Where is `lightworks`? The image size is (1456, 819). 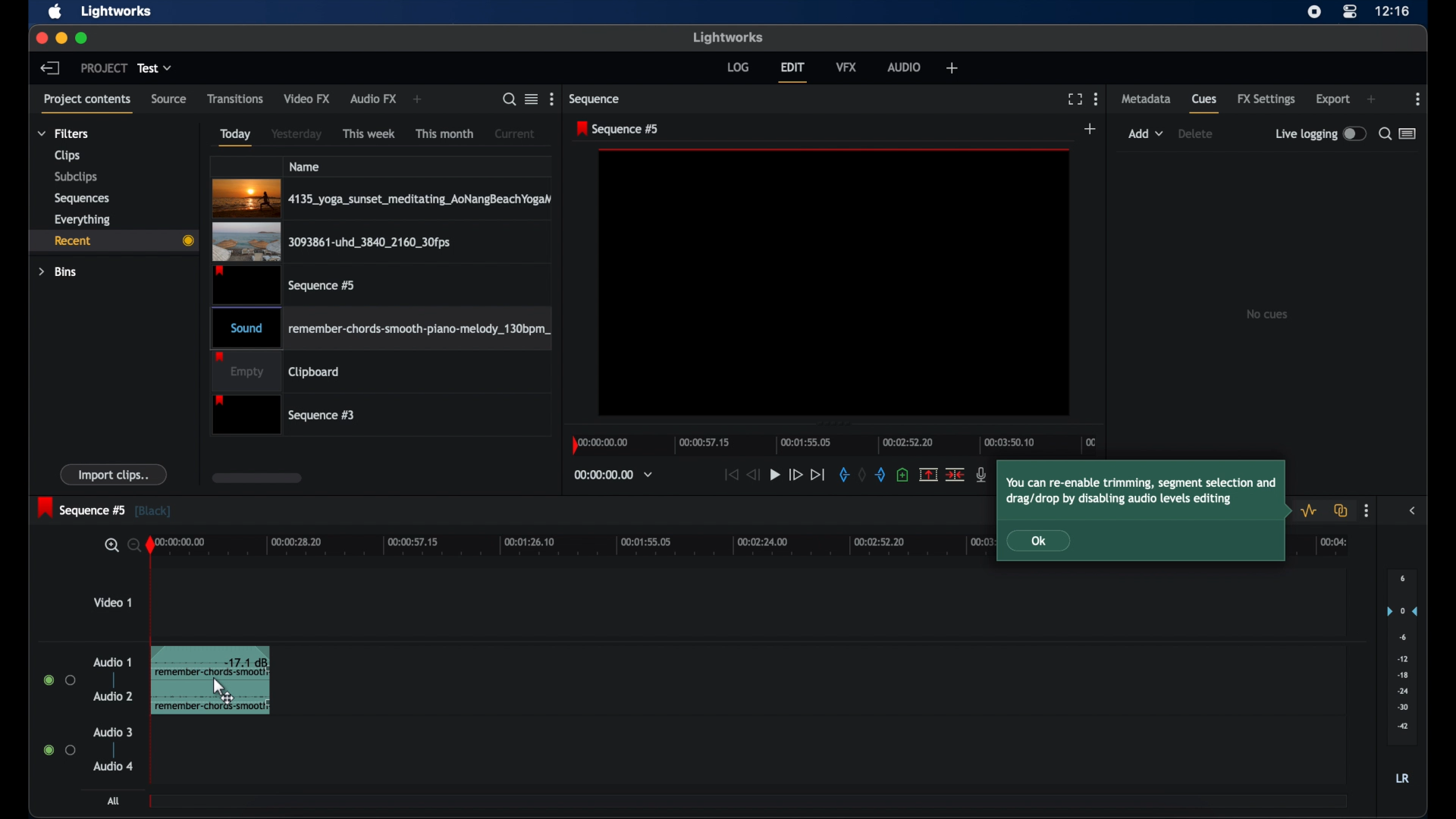 lightworks is located at coordinates (117, 11).